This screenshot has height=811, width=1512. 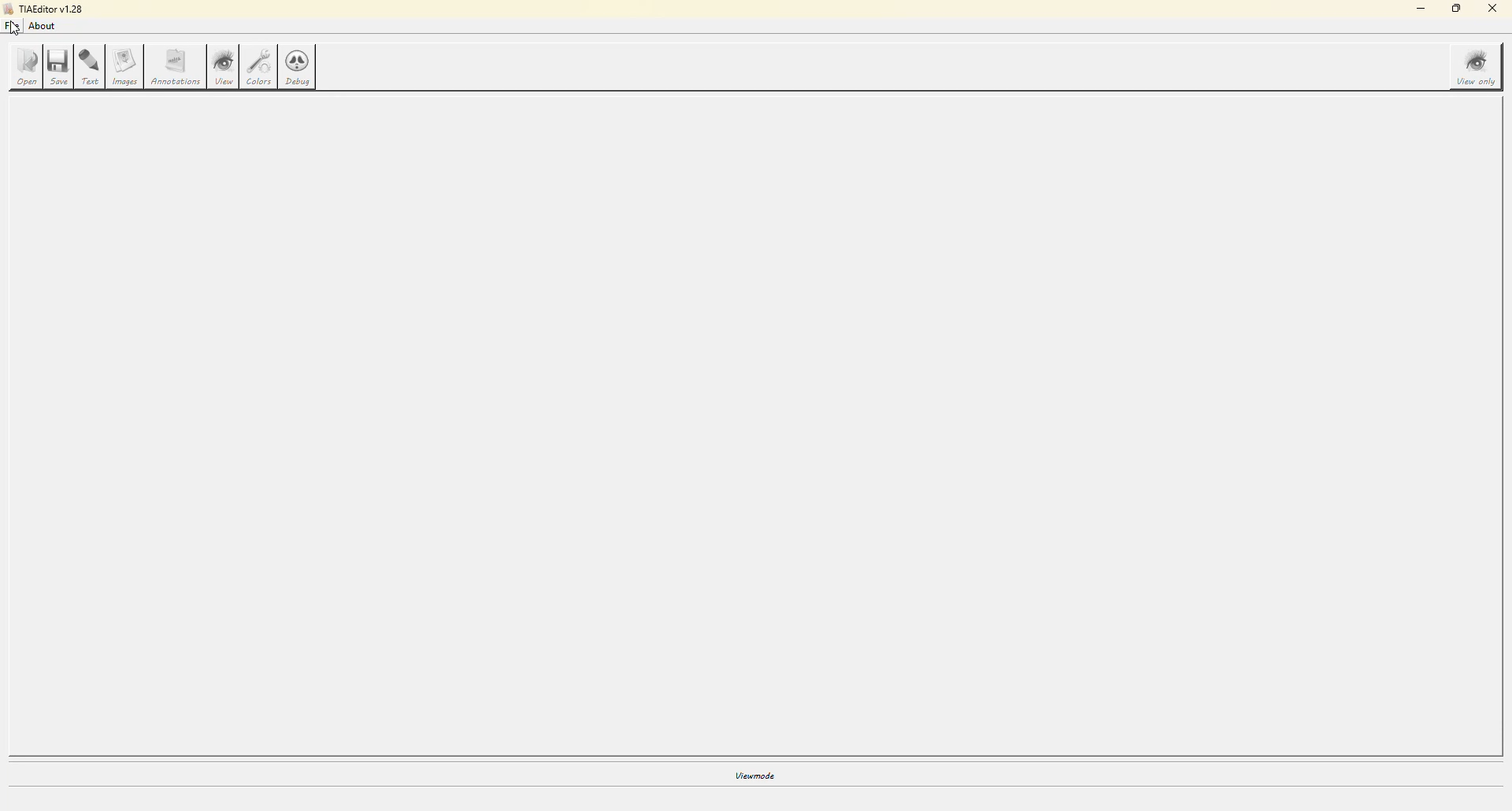 I want to click on minimize, so click(x=1418, y=9).